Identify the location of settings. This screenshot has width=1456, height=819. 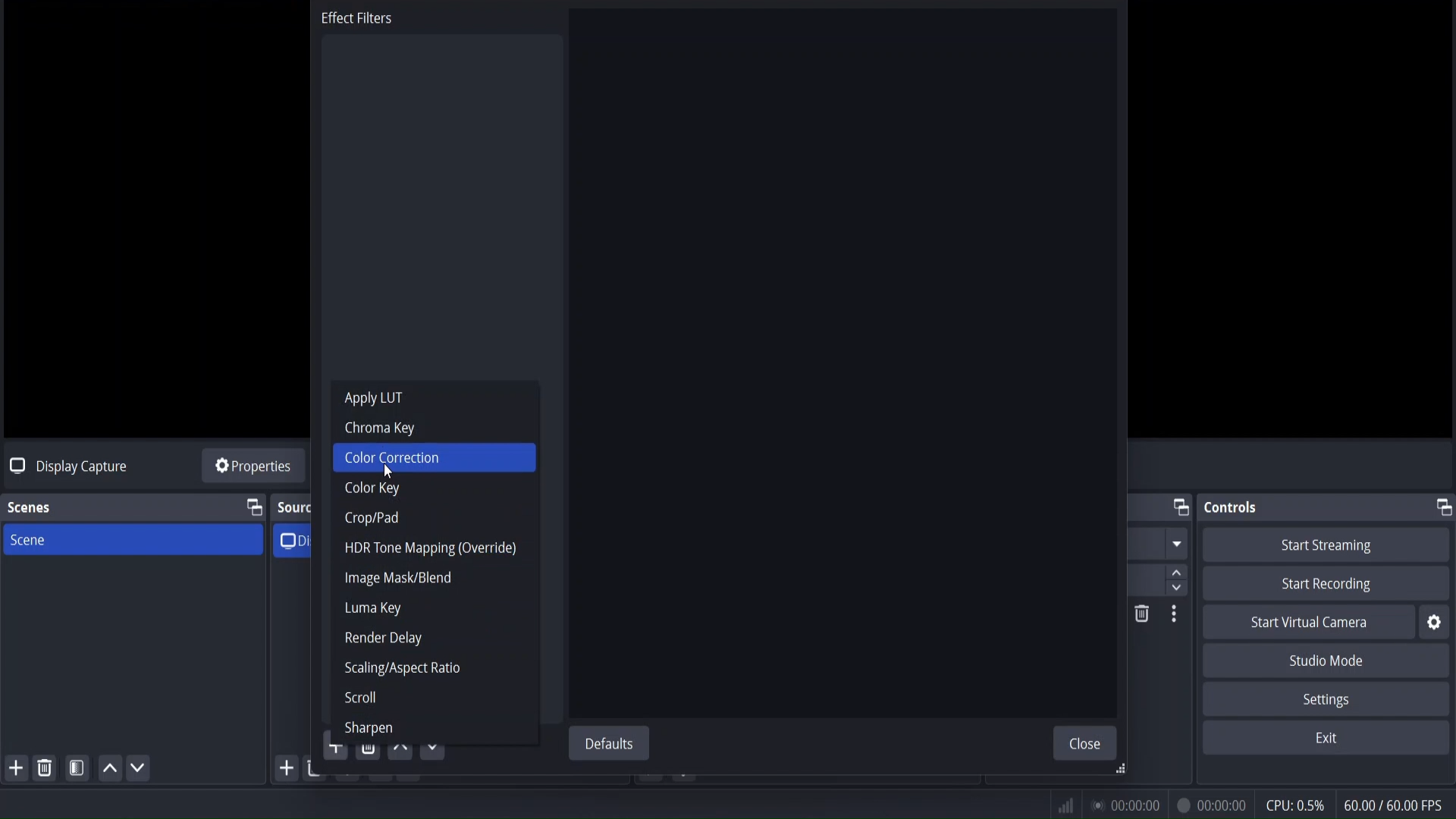
(1434, 623).